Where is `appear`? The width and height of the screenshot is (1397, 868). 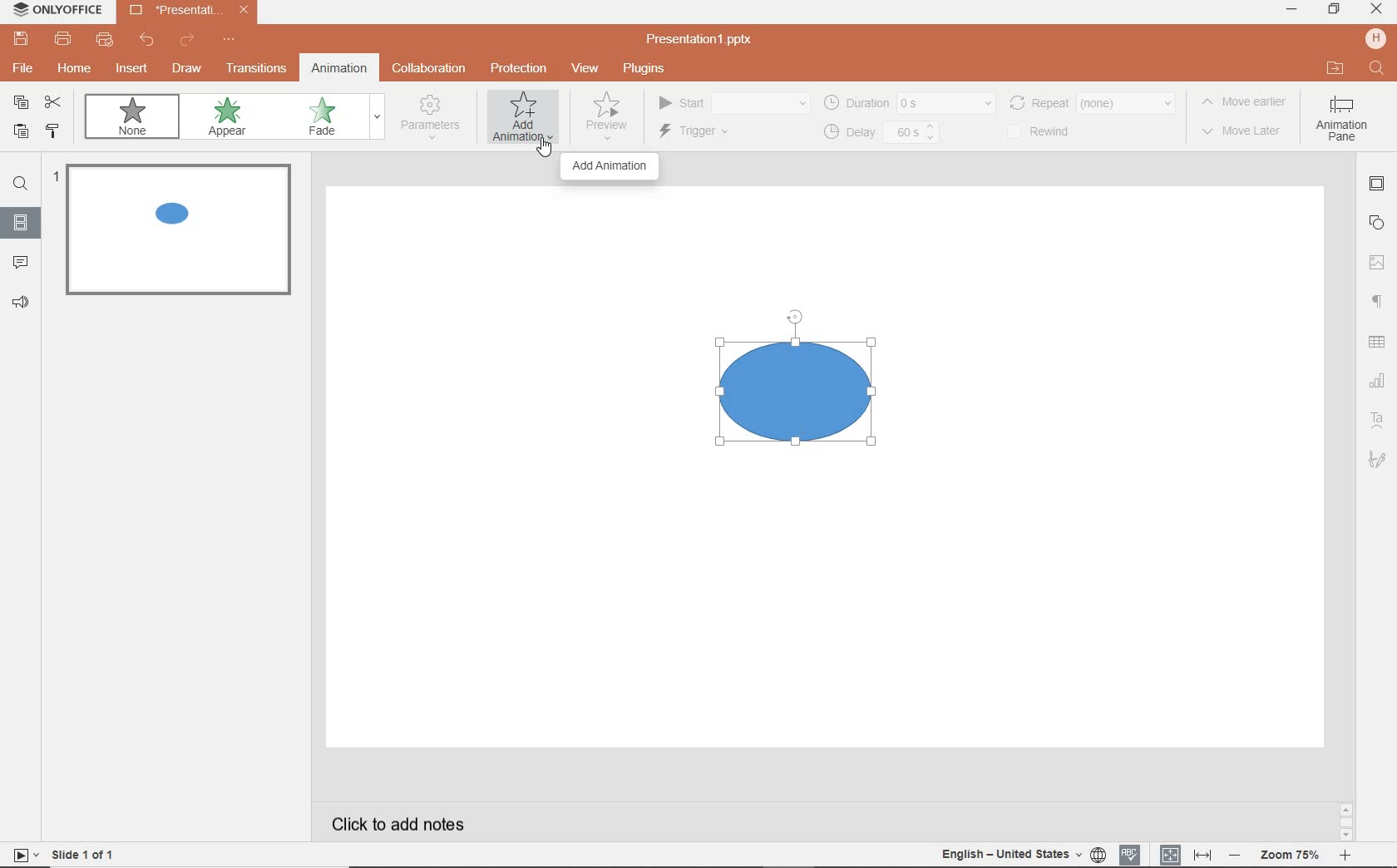
appear is located at coordinates (230, 119).